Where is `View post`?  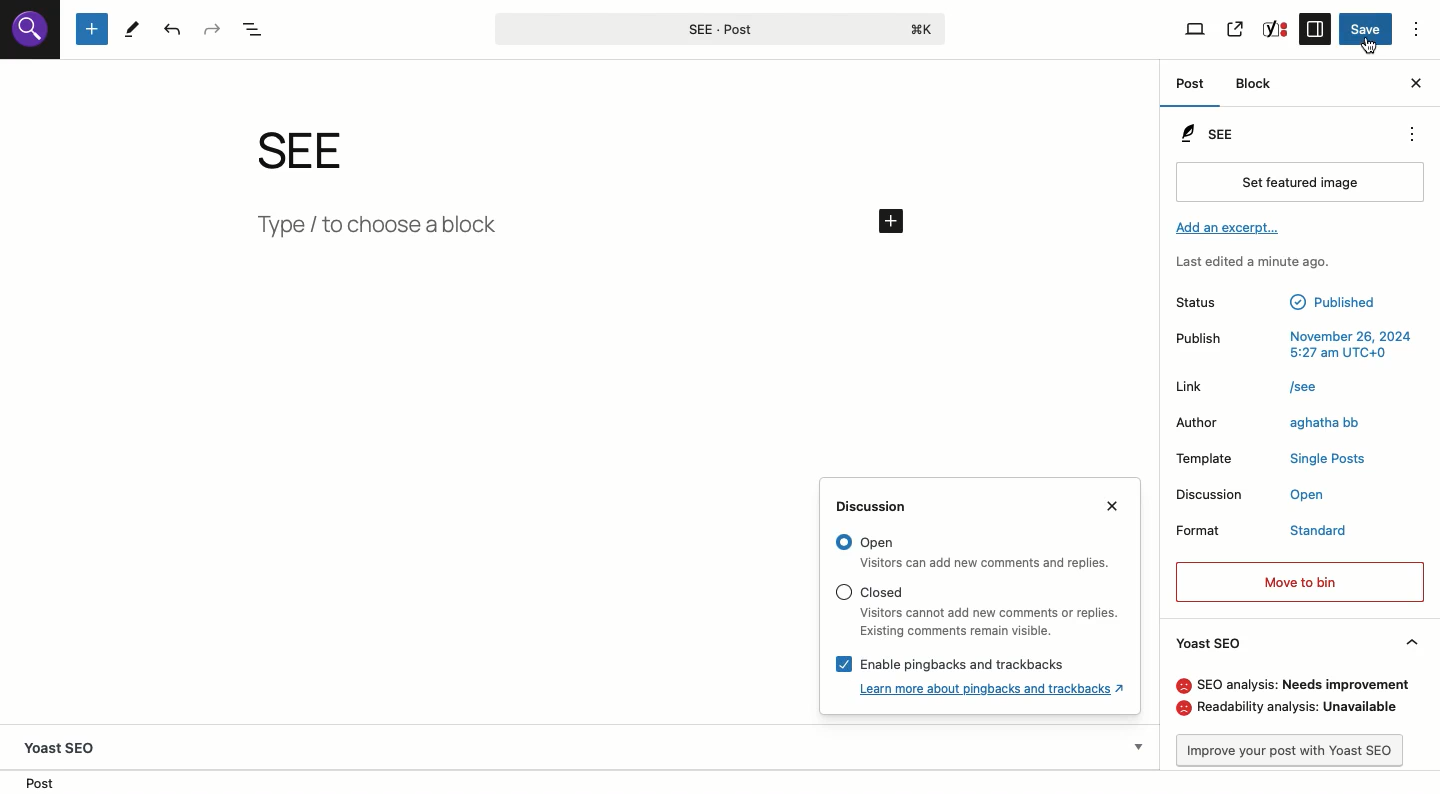
View post is located at coordinates (1237, 27).